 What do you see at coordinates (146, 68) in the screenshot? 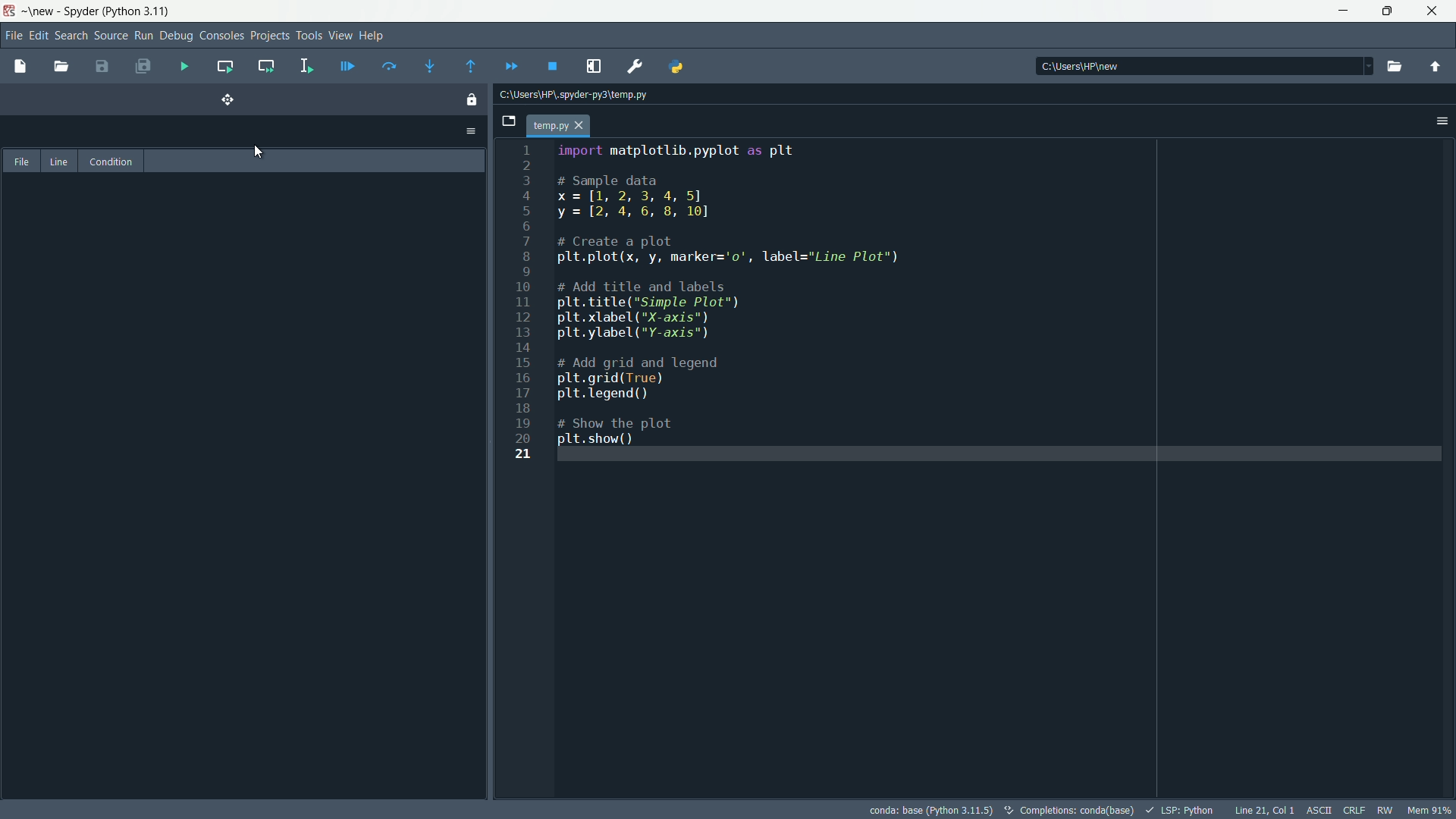
I see `save all files` at bounding box center [146, 68].